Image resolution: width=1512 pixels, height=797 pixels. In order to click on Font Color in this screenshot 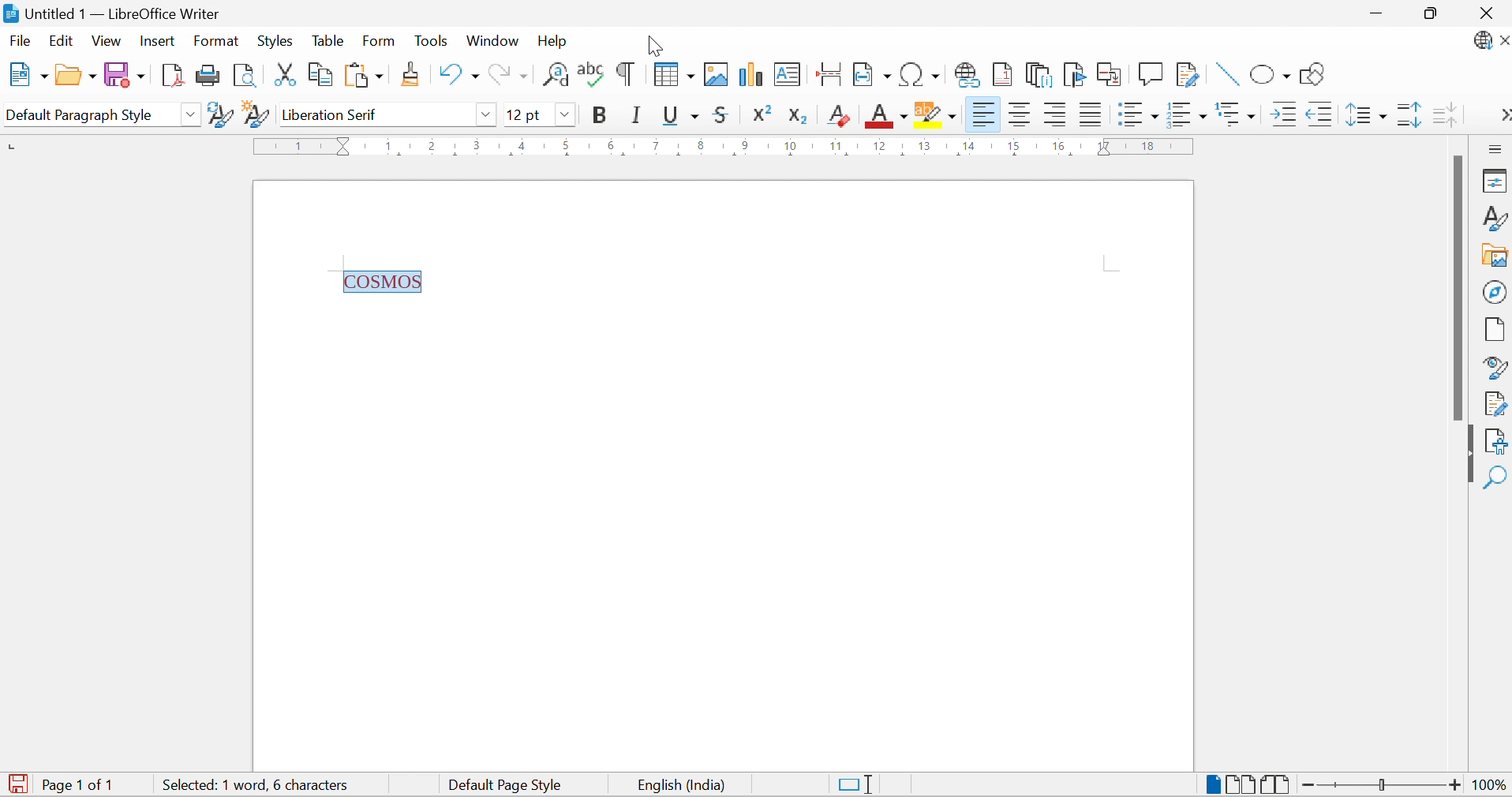, I will do `click(887, 114)`.